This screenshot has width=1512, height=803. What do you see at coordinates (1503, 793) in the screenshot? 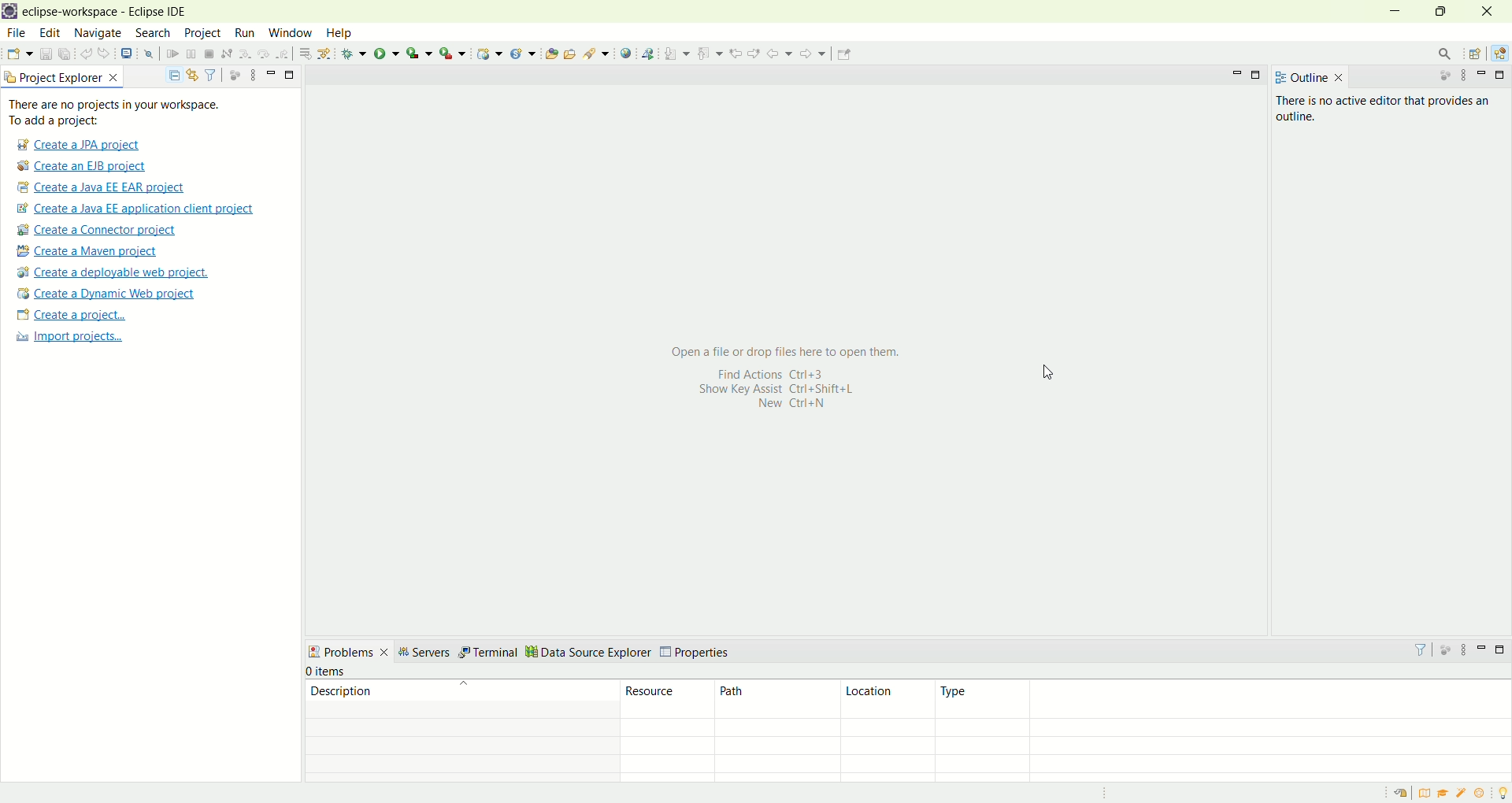
I see `tip of the day` at bounding box center [1503, 793].